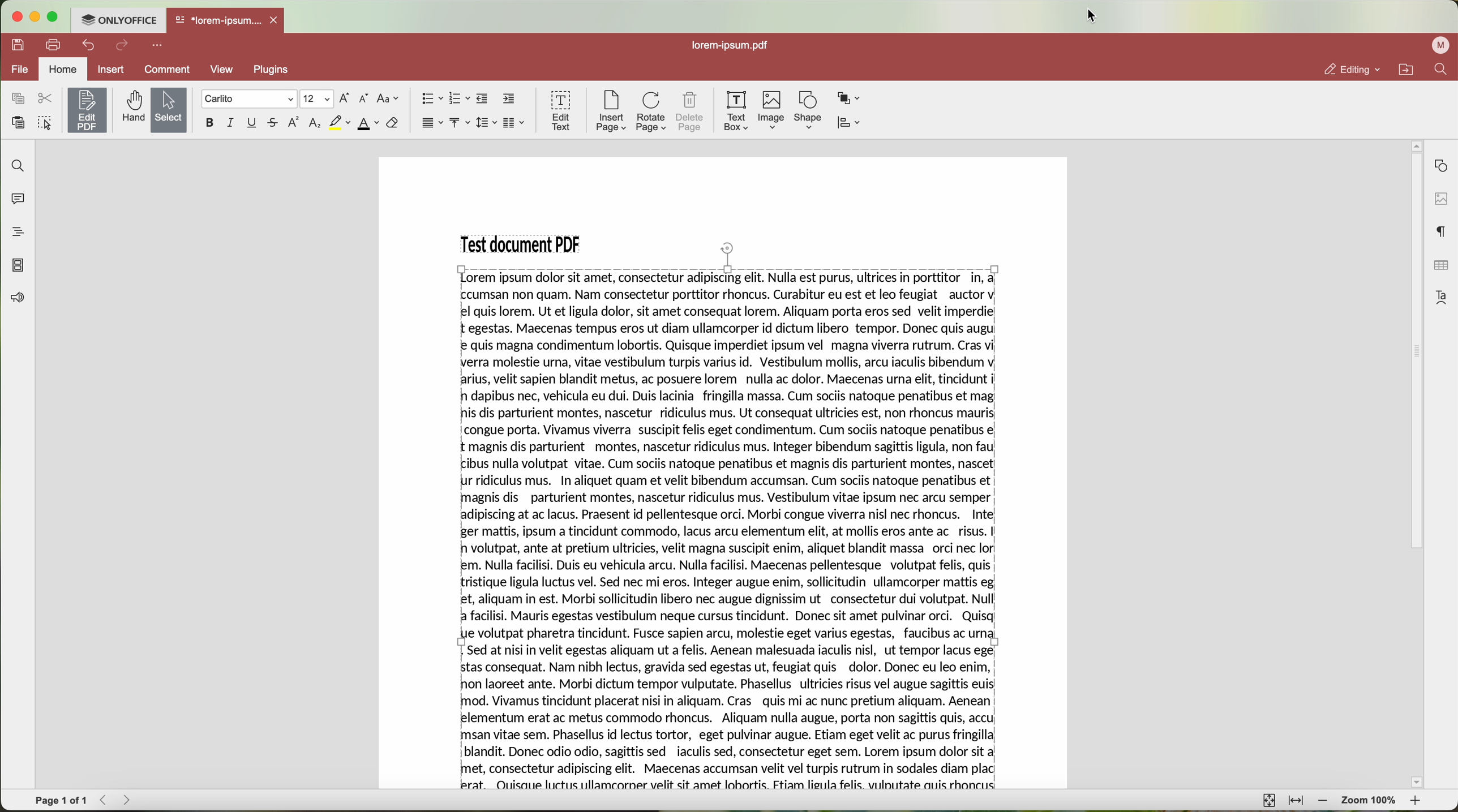 The height and width of the screenshot is (812, 1458). I want to click on highlight color, so click(340, 123).